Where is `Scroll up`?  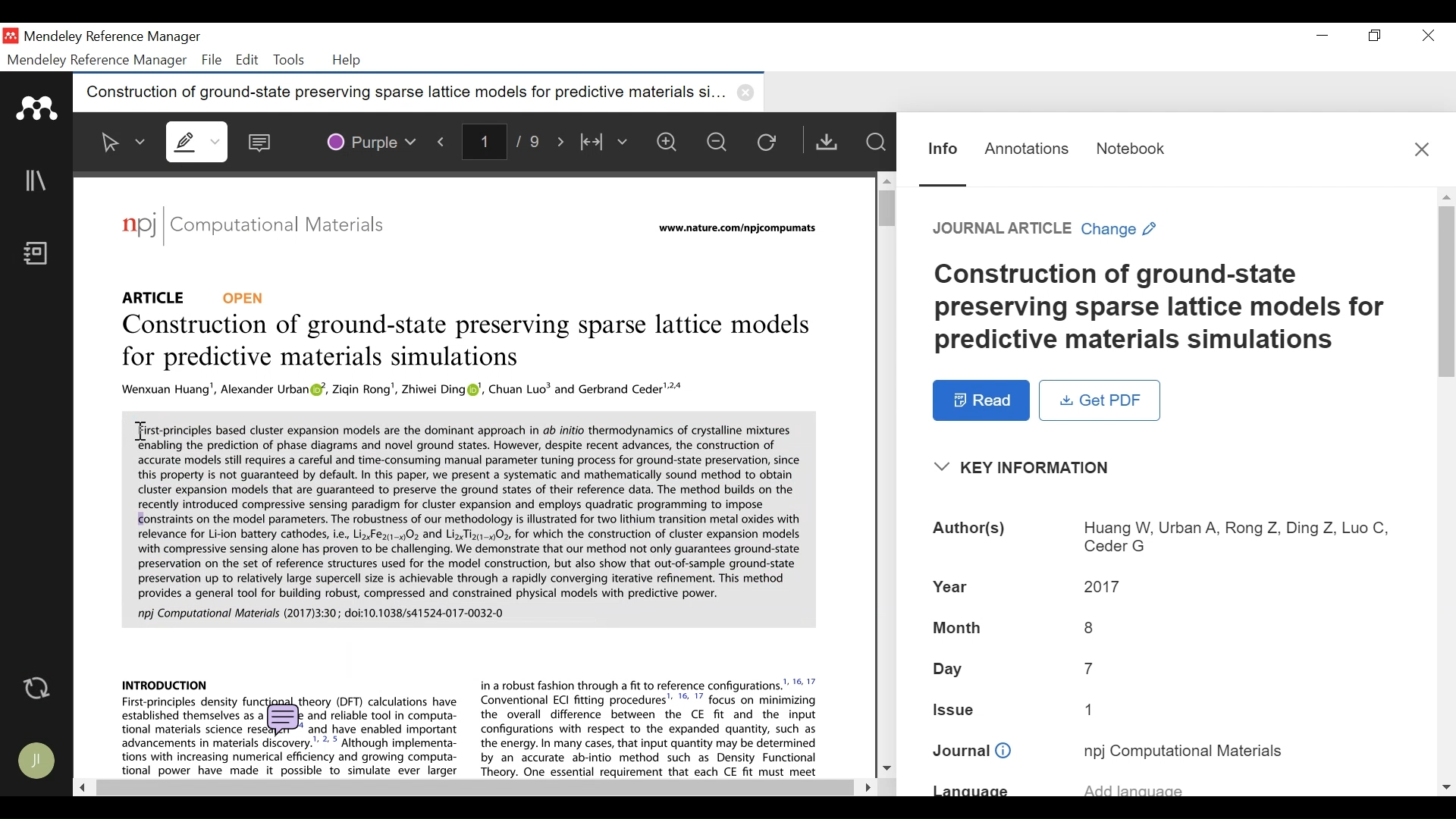
Scroll up is located at coordinates (885, 180).